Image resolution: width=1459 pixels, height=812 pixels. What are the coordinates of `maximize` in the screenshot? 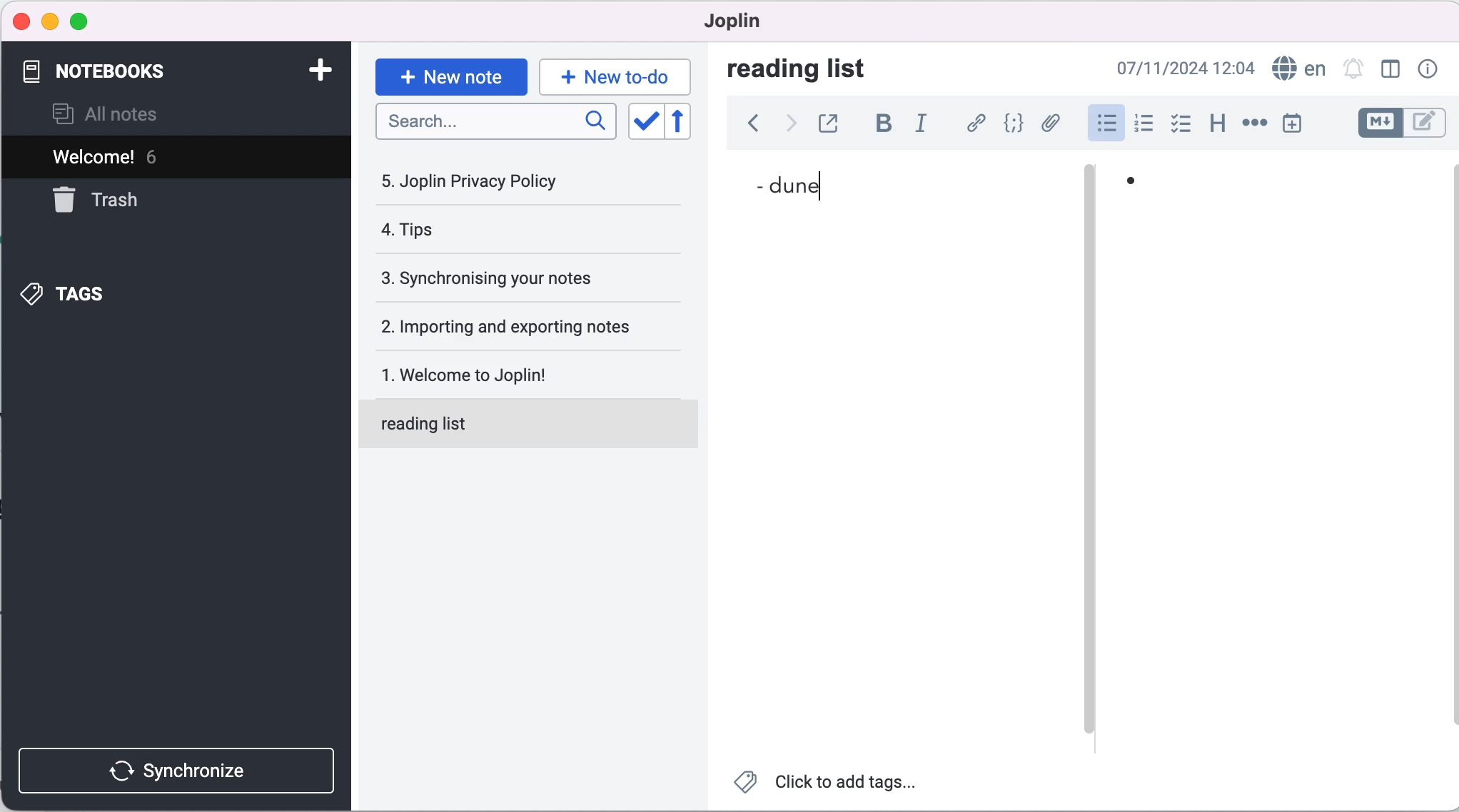 It's located at (88, 21).